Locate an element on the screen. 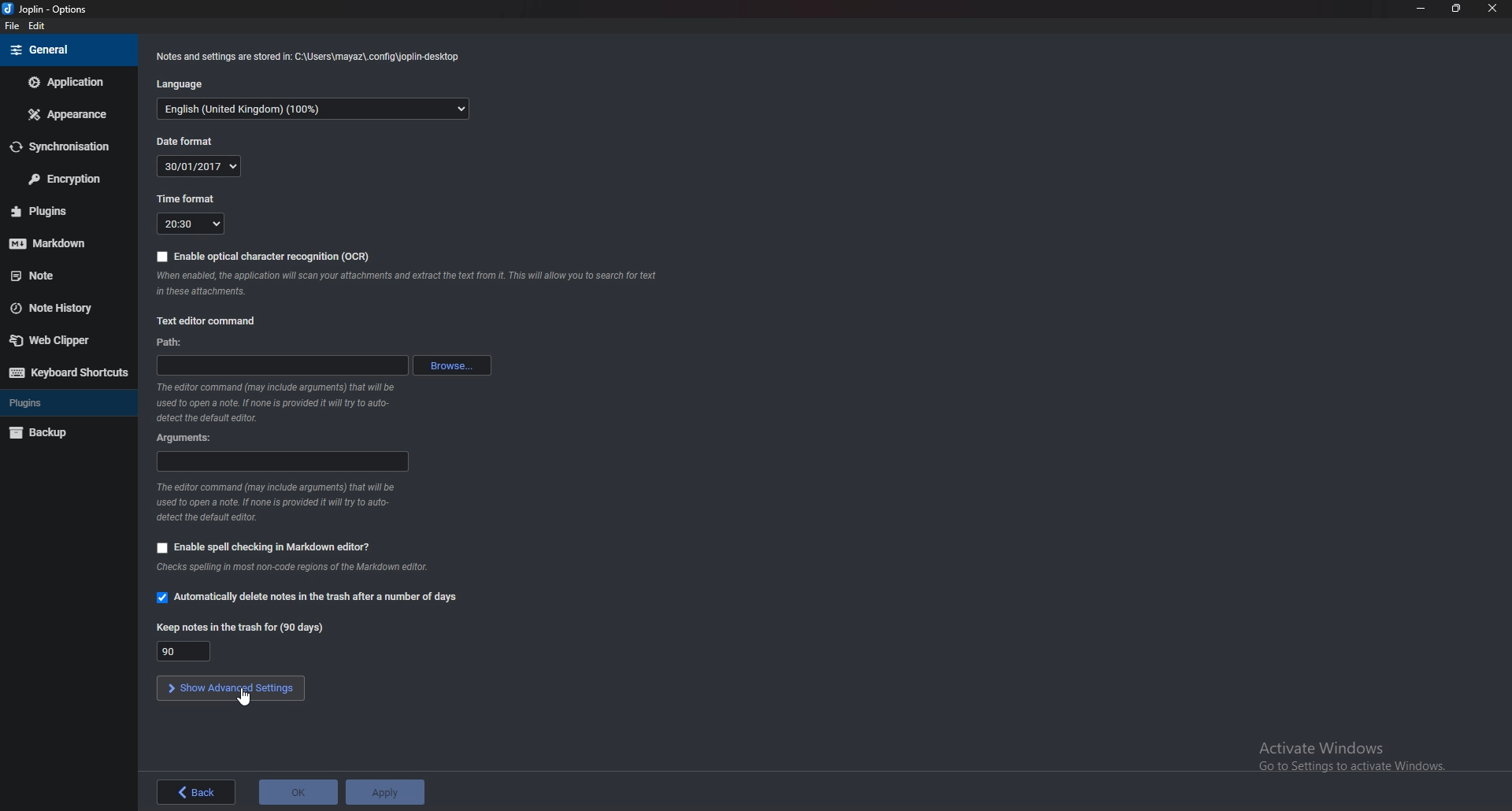 This screenshot has width=1512, height=811. show advanced settings is located at coordinates (228, 687).